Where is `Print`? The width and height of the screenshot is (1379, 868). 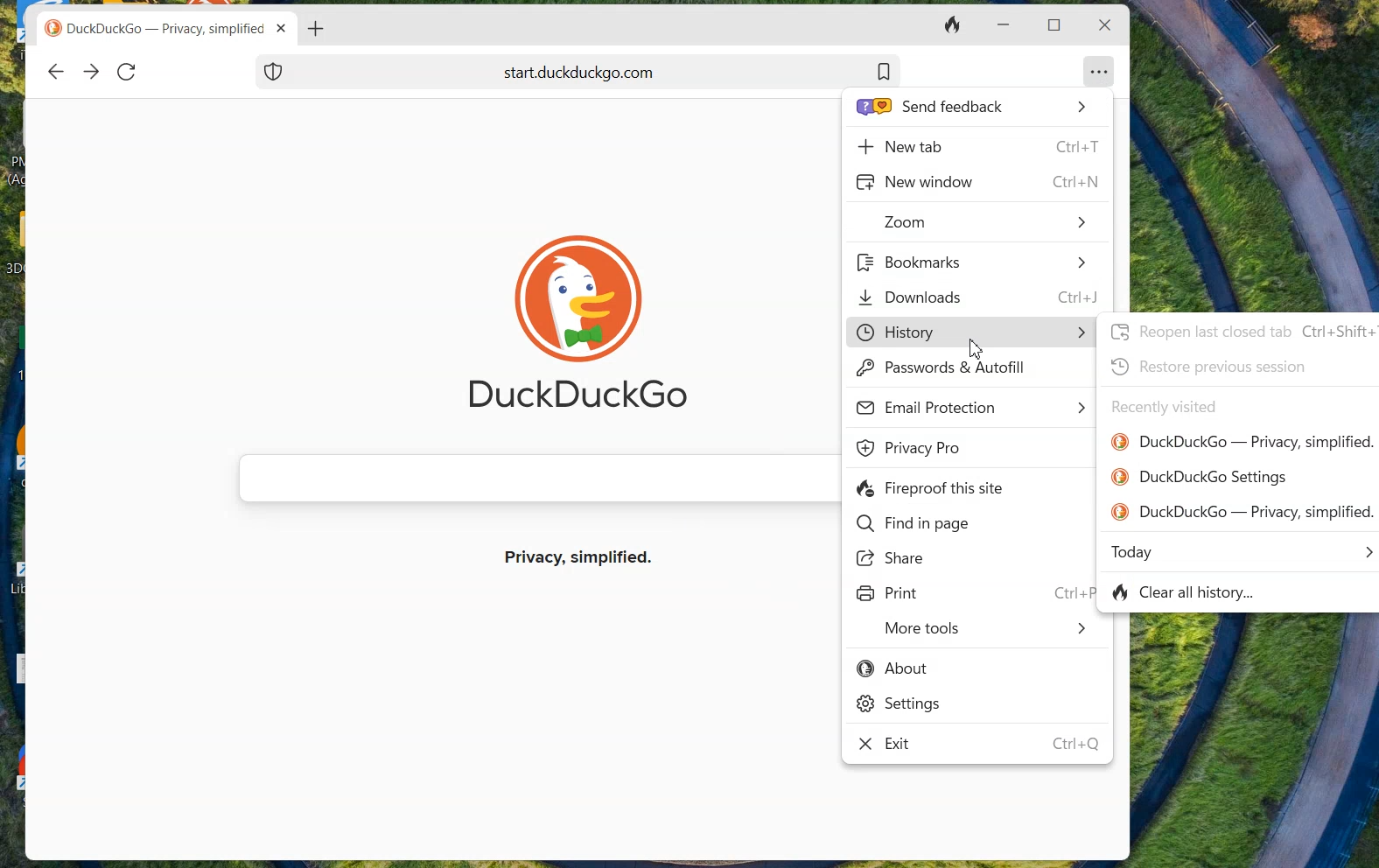 Print is located at coordinates (889, 594).